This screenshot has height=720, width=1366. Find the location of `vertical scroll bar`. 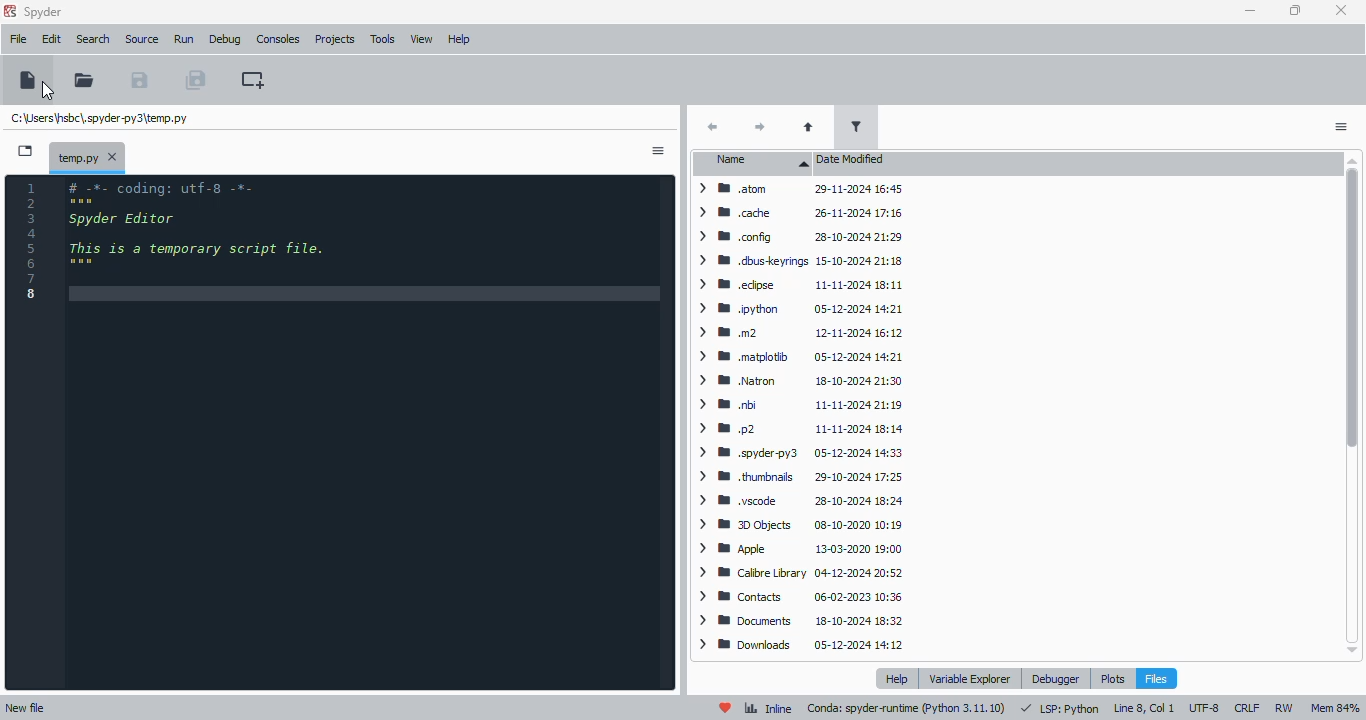

vertical scroll bar is located at coordinates (1352, 407).